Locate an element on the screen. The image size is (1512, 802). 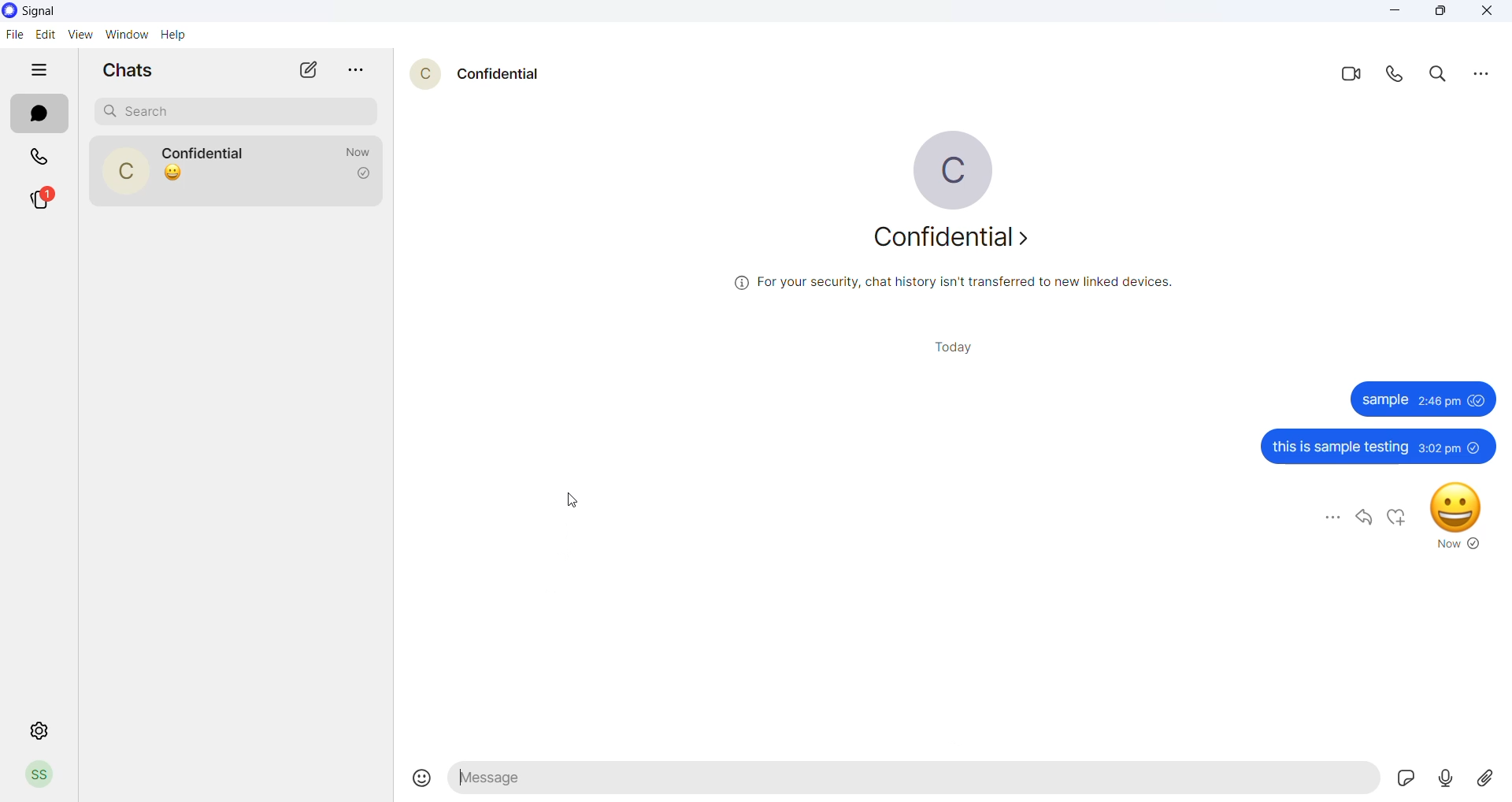
share attachments is located at coordinates (1482, 777).